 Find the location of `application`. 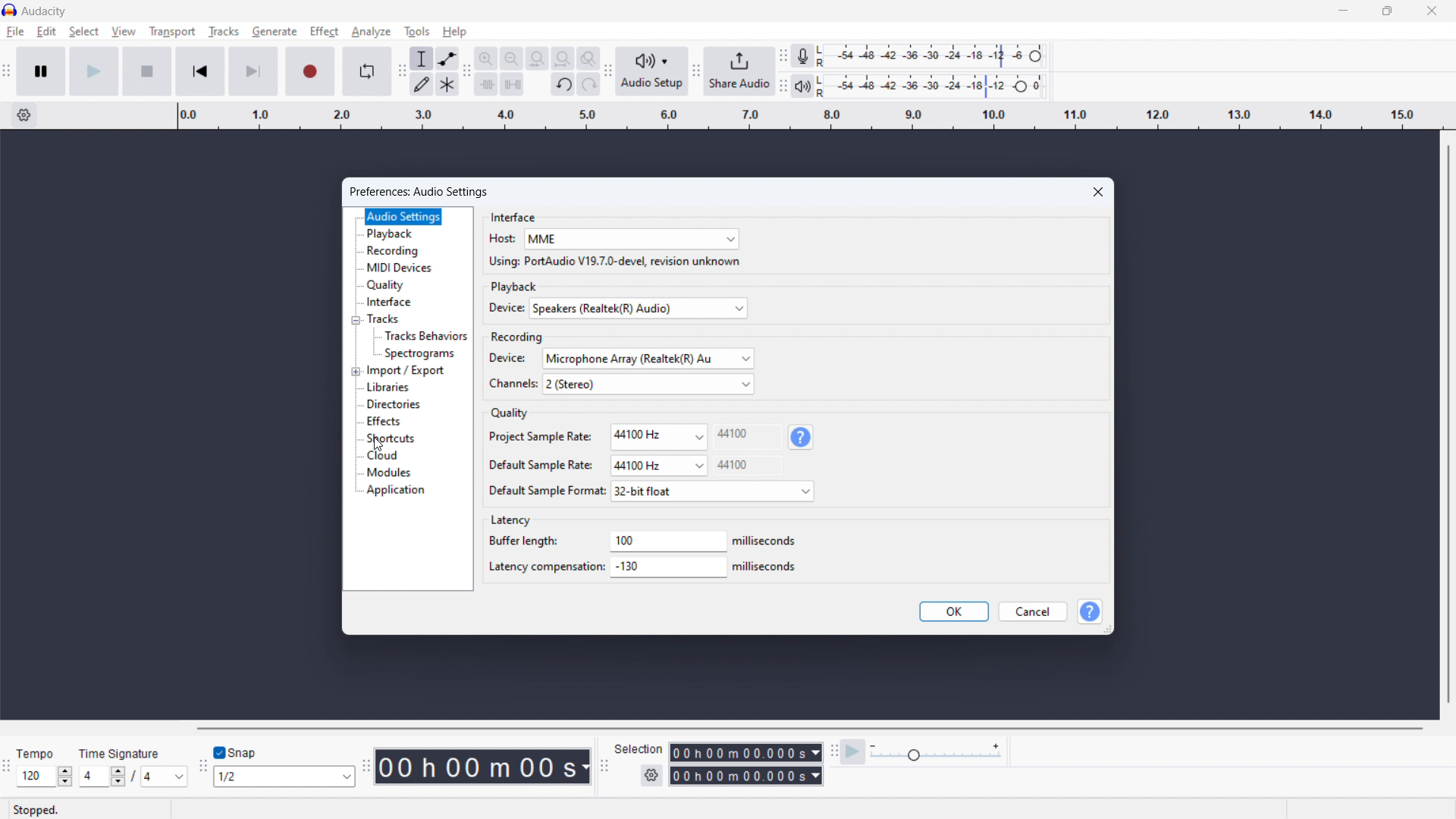

application is located at coordinates (398, 491).